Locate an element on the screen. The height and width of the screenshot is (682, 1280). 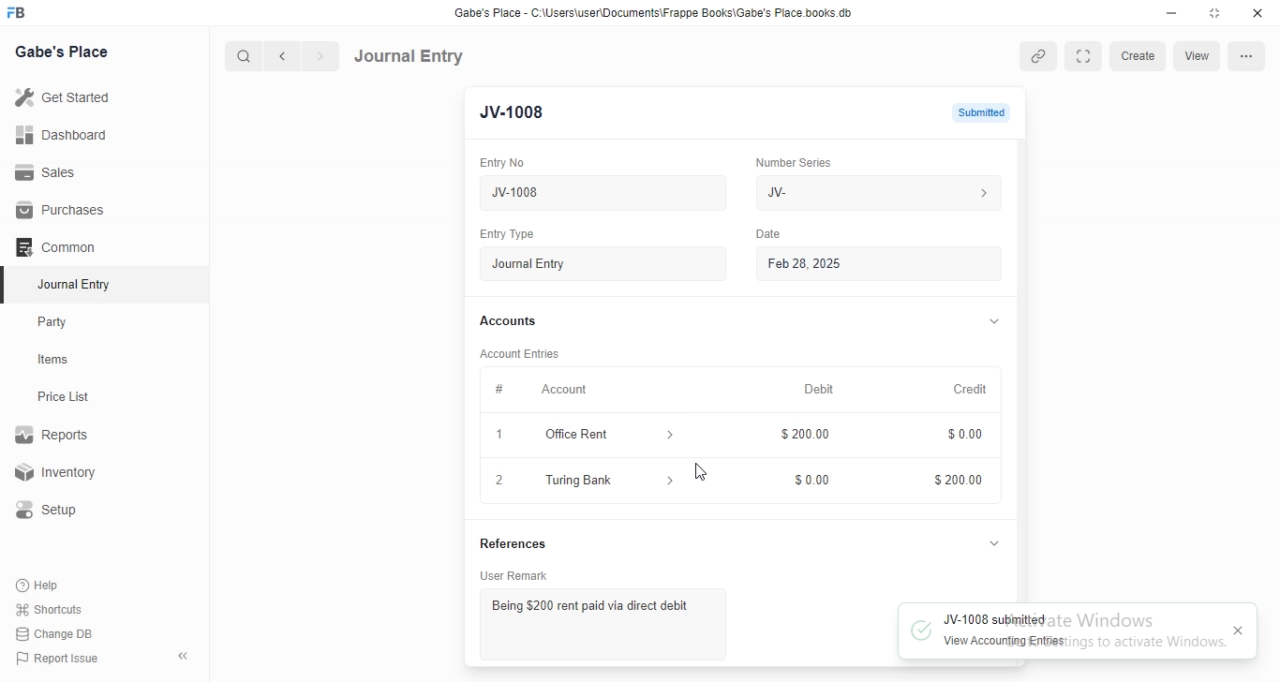
Shortcuts is located at coordinates (49, 608).